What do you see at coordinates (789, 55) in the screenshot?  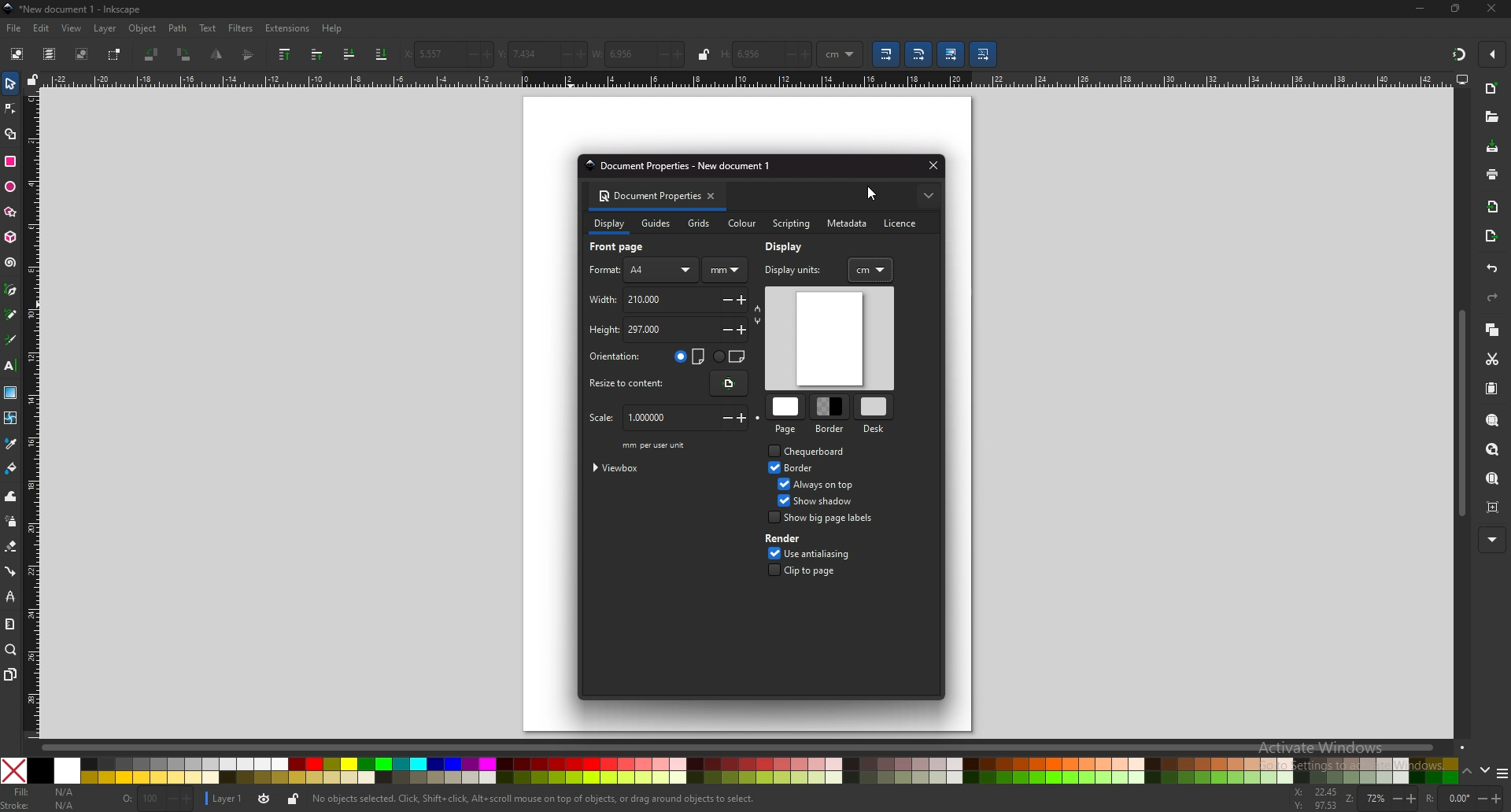 I see `-` at bounding box center [789, 55].